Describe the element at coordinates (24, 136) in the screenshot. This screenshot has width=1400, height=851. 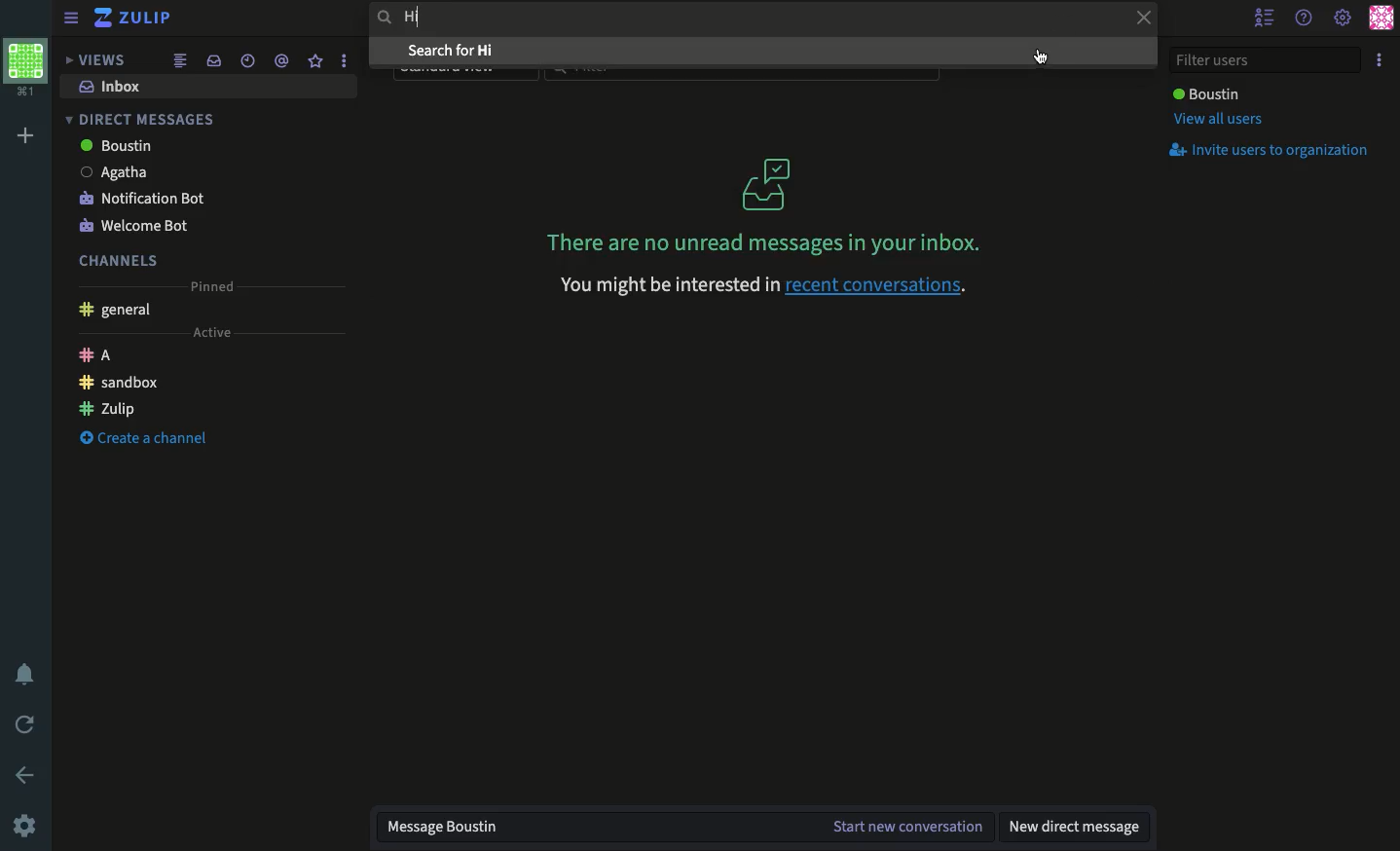
I see `Add` at that location.